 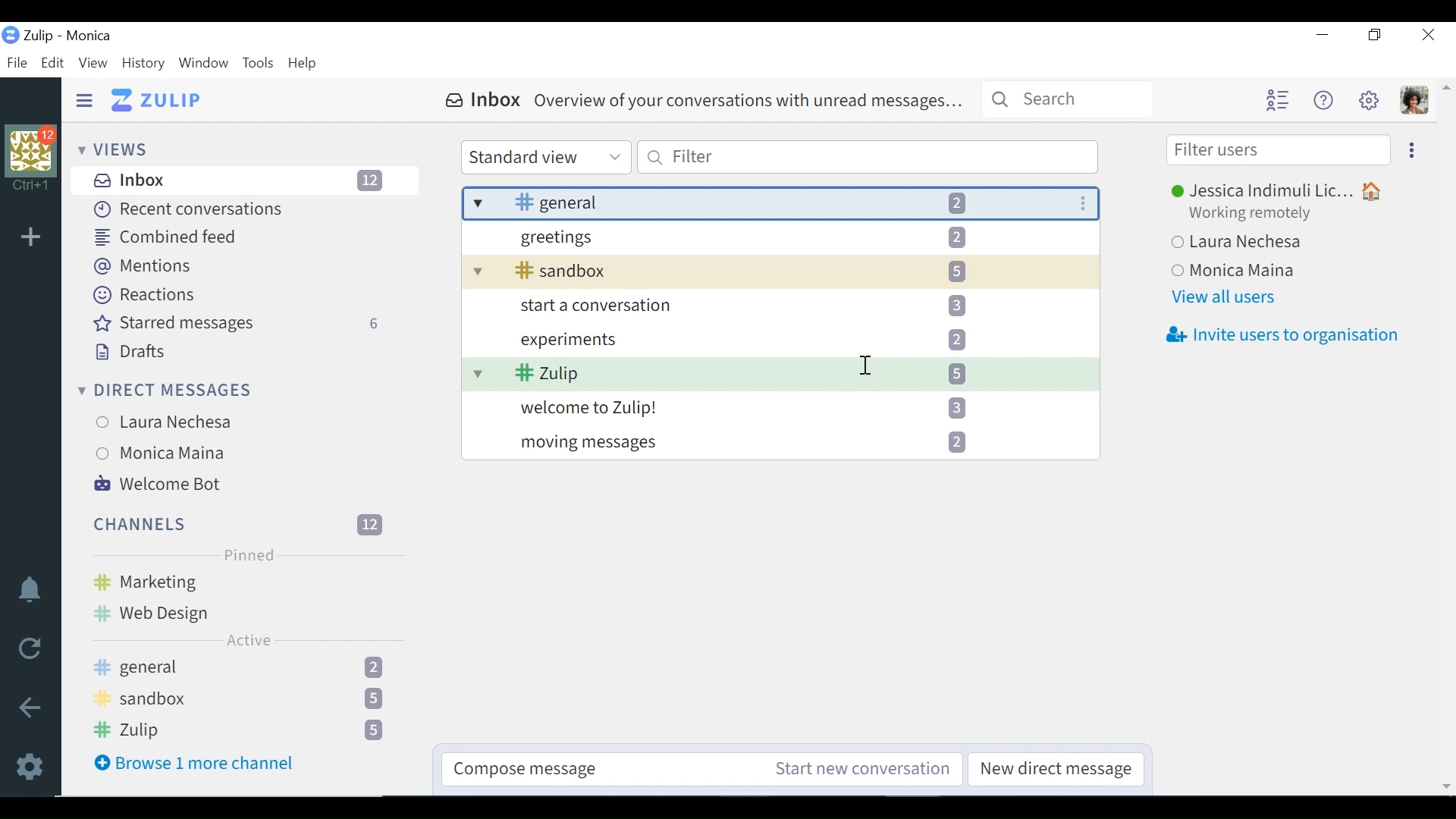 What do you see at coordinates (238, 667) in the screenshot?
I see `#general 2` at bounding box center [238, 667].